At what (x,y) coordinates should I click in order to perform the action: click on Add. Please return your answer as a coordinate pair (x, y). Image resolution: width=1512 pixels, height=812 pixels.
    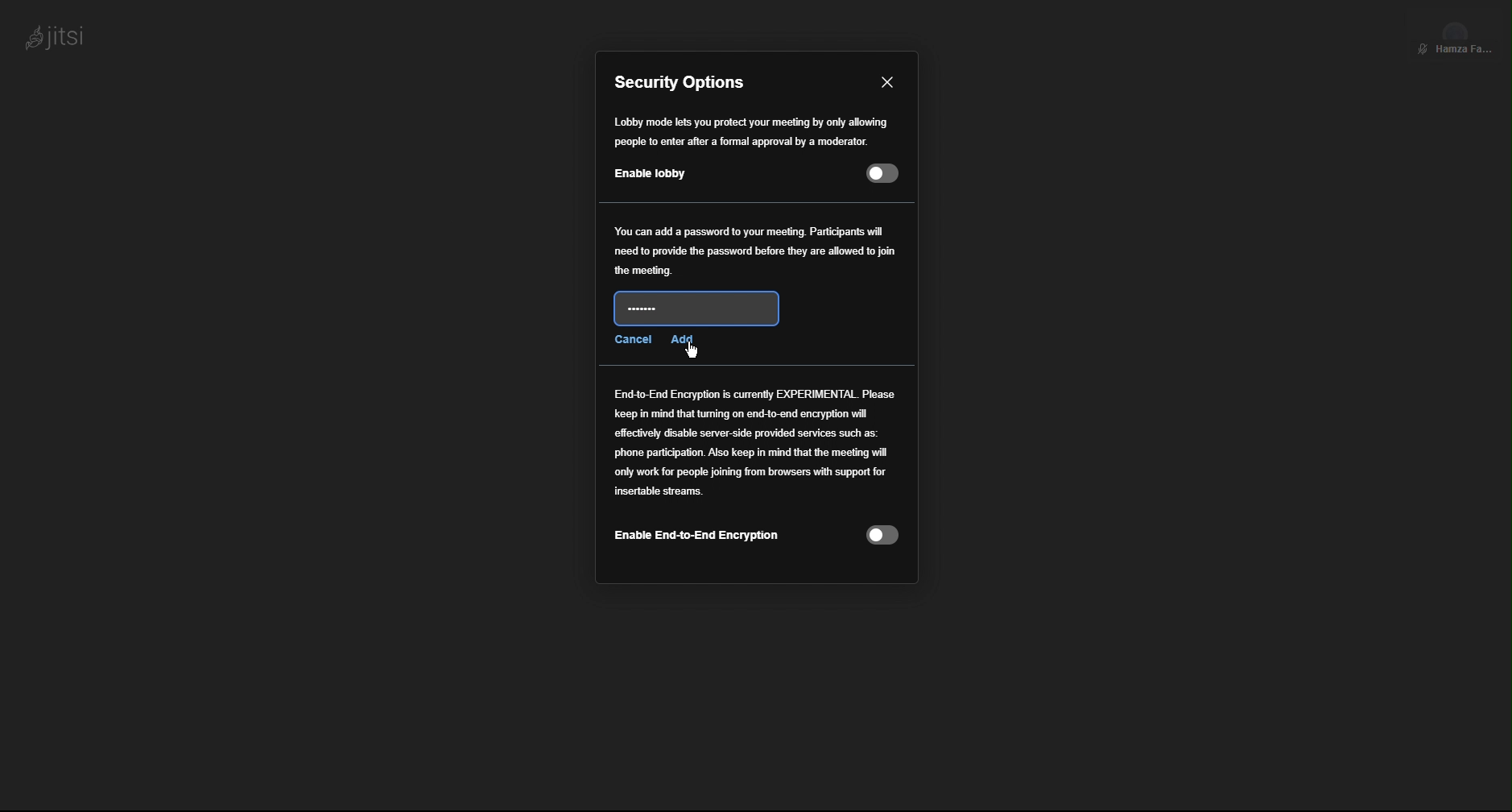
    Looking at the image, I should click on (684, 340).